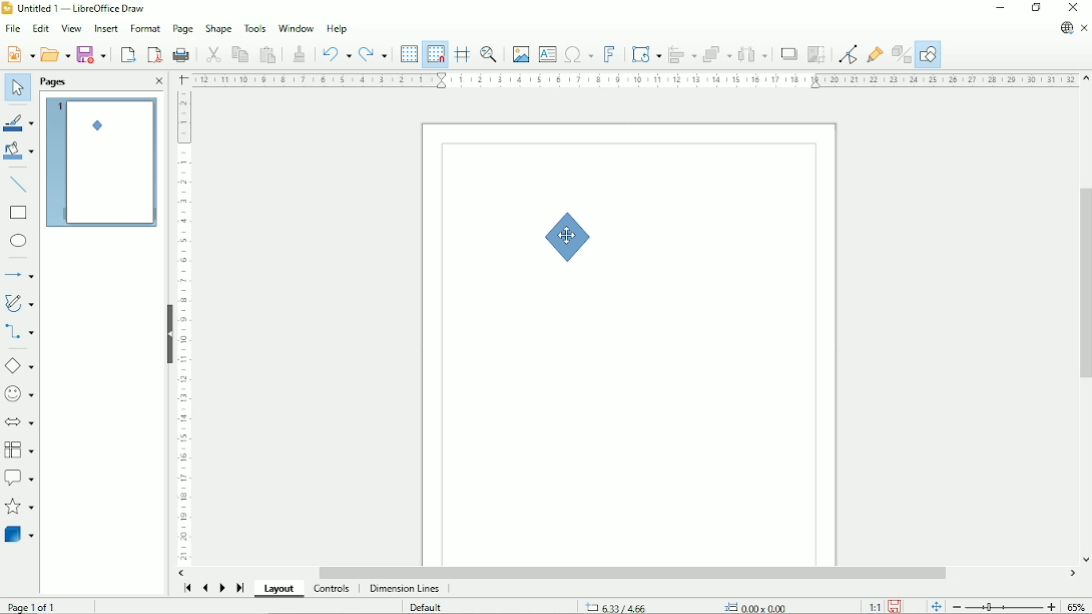 Image resolution: width=1092 pixels, height=614 pixels. What do you see at coordinates (1003, 606) in the screenshot?
I see `Zoom out/in` at bounding box center [1003, 606].